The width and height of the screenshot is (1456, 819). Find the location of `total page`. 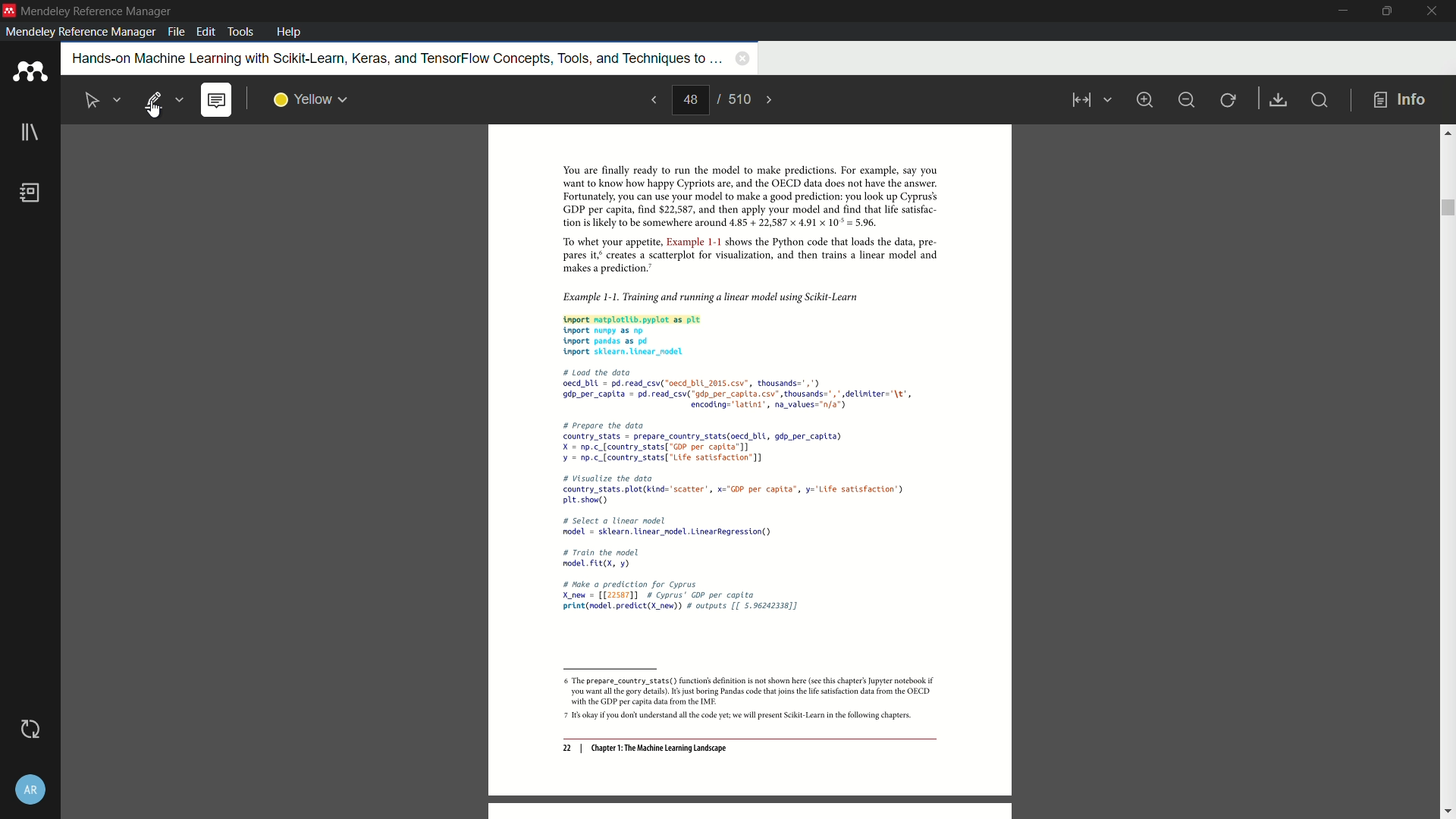

total page is located at coordinates (738, 99).